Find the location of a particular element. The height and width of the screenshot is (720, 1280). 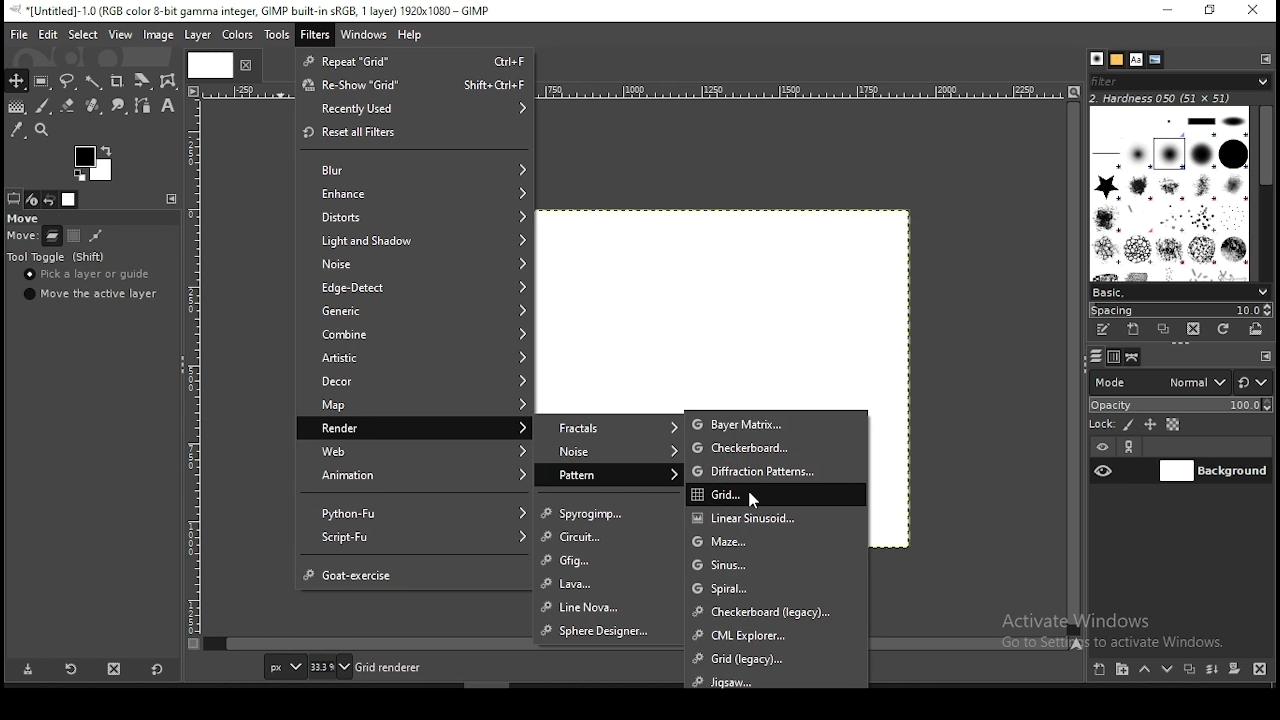

image is located at coordinates (158, 35).